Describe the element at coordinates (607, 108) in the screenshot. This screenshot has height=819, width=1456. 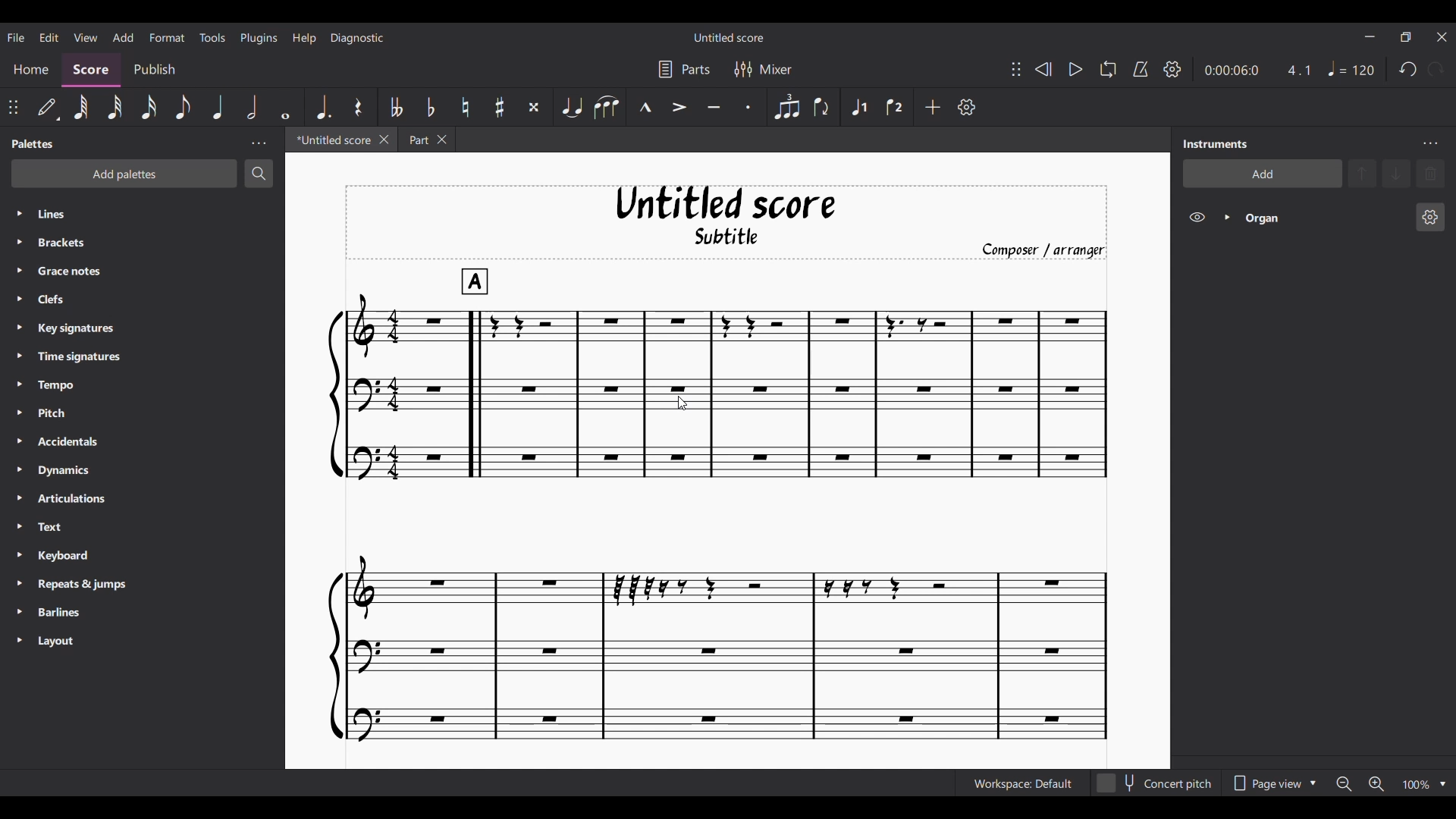
I see `Slur` at that location.